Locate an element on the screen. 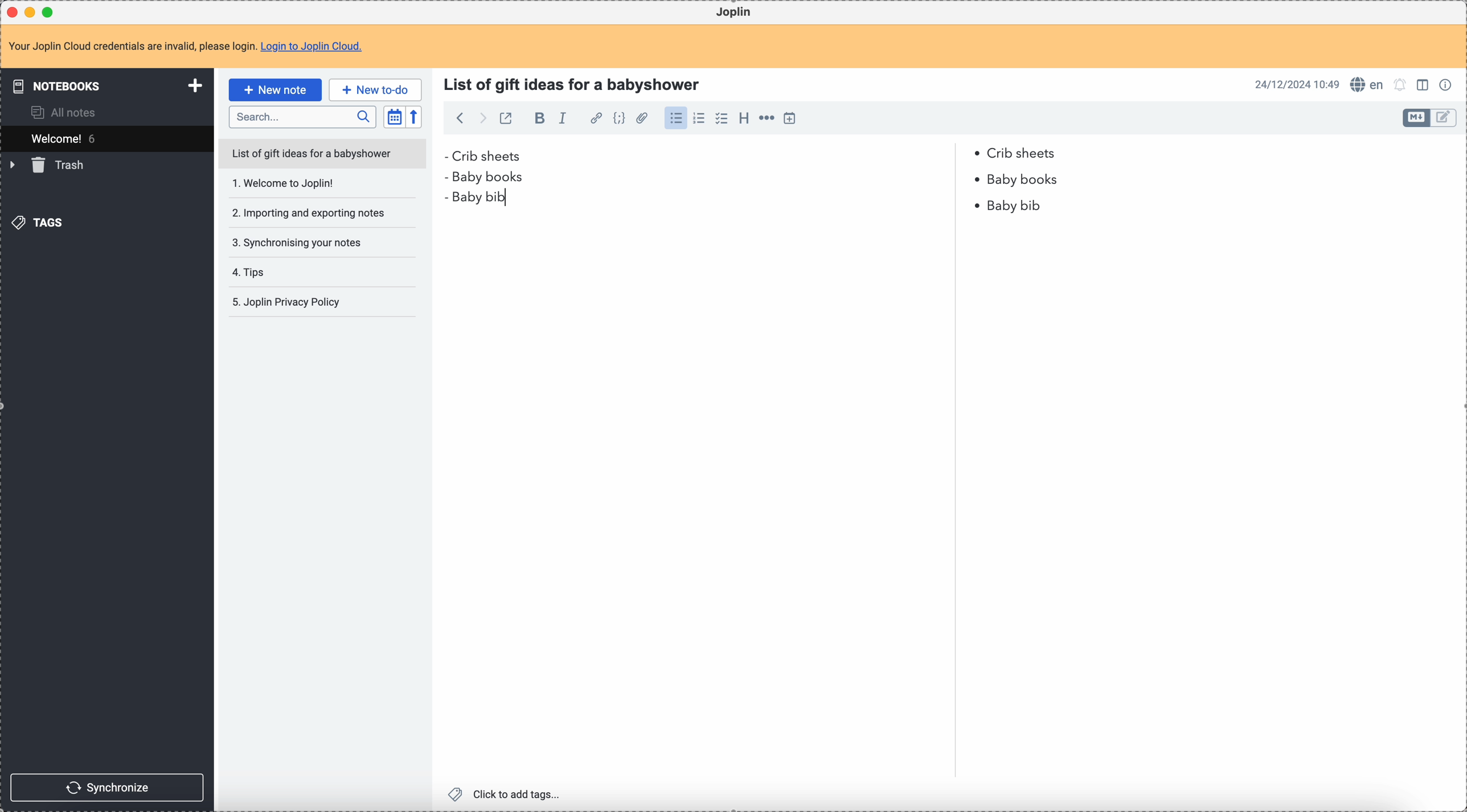  baby books is located at coordinates (495, 178).